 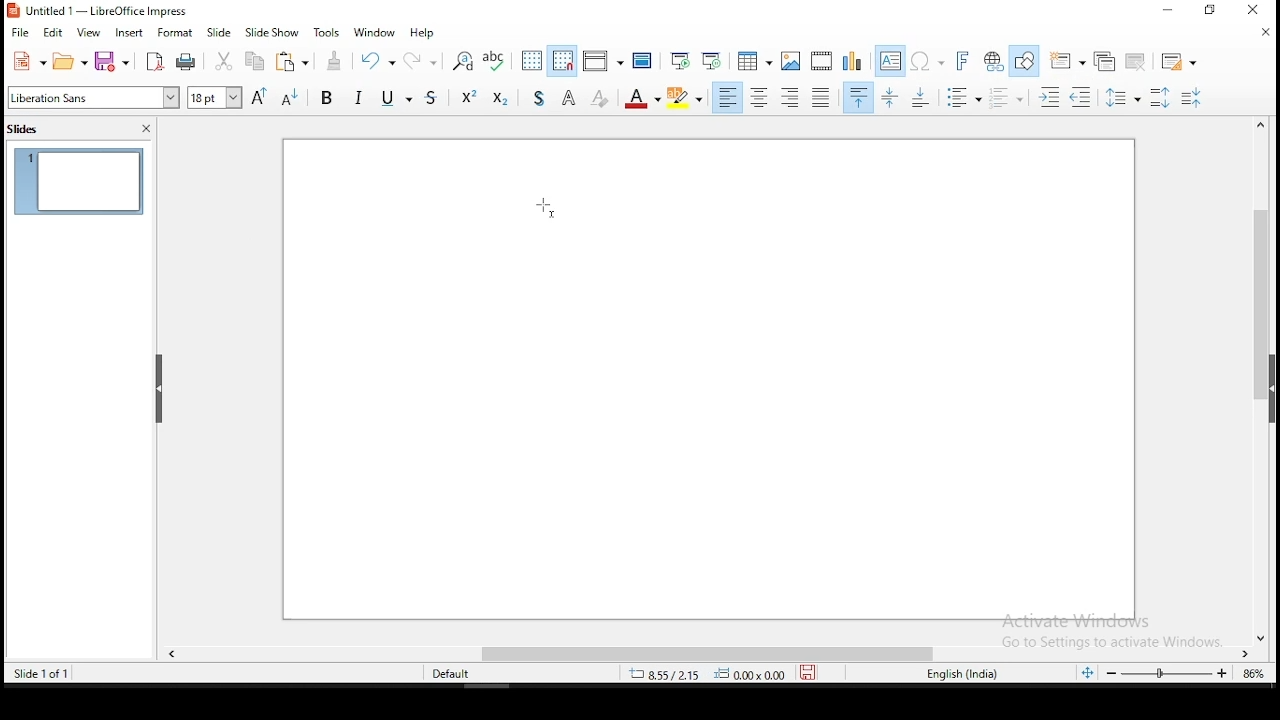 I want to click on align bottom, so click(x=918, y=99).